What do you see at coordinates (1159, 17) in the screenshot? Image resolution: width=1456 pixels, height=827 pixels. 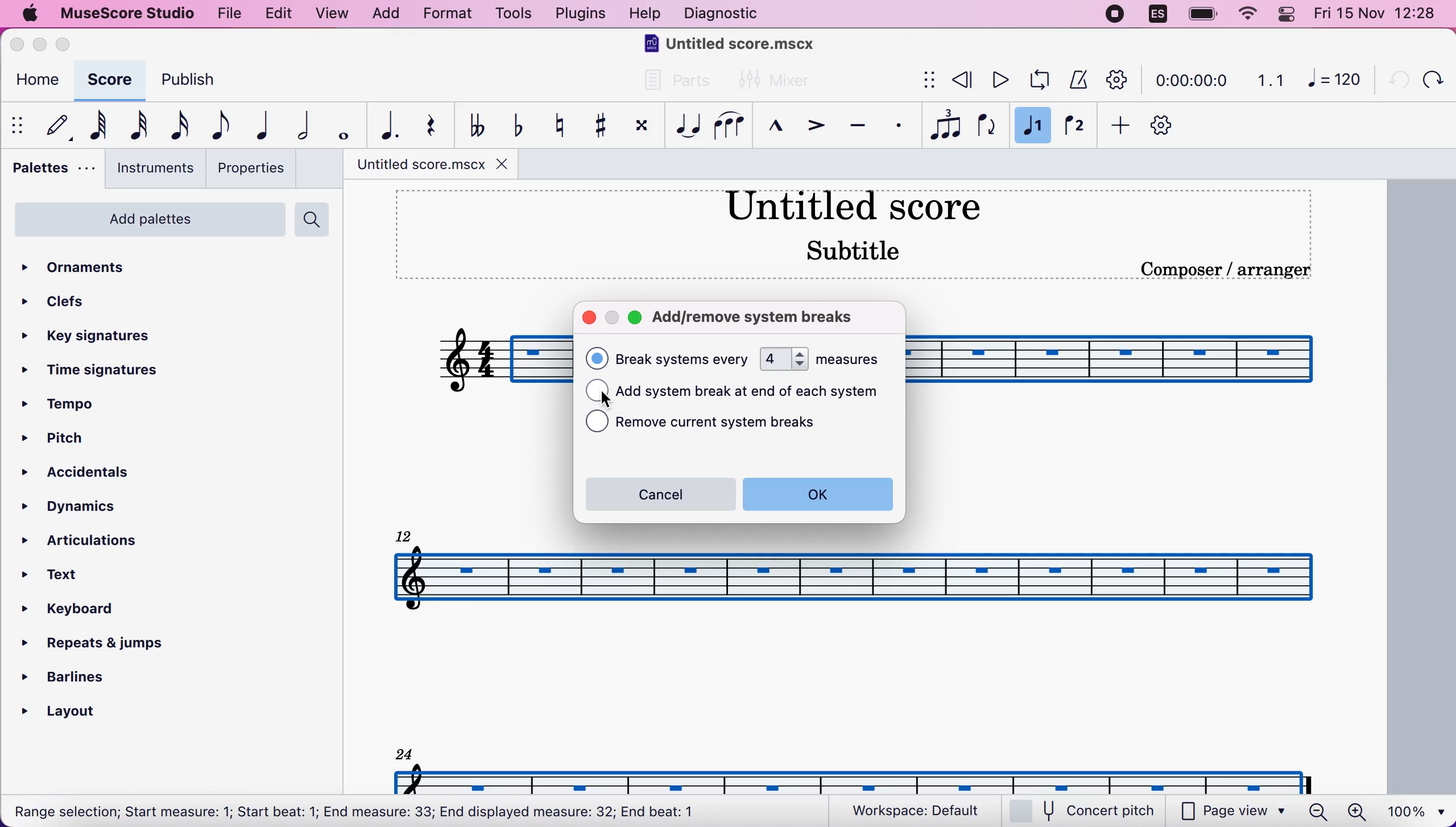 I see `language` at bounding box center [1159, 17].